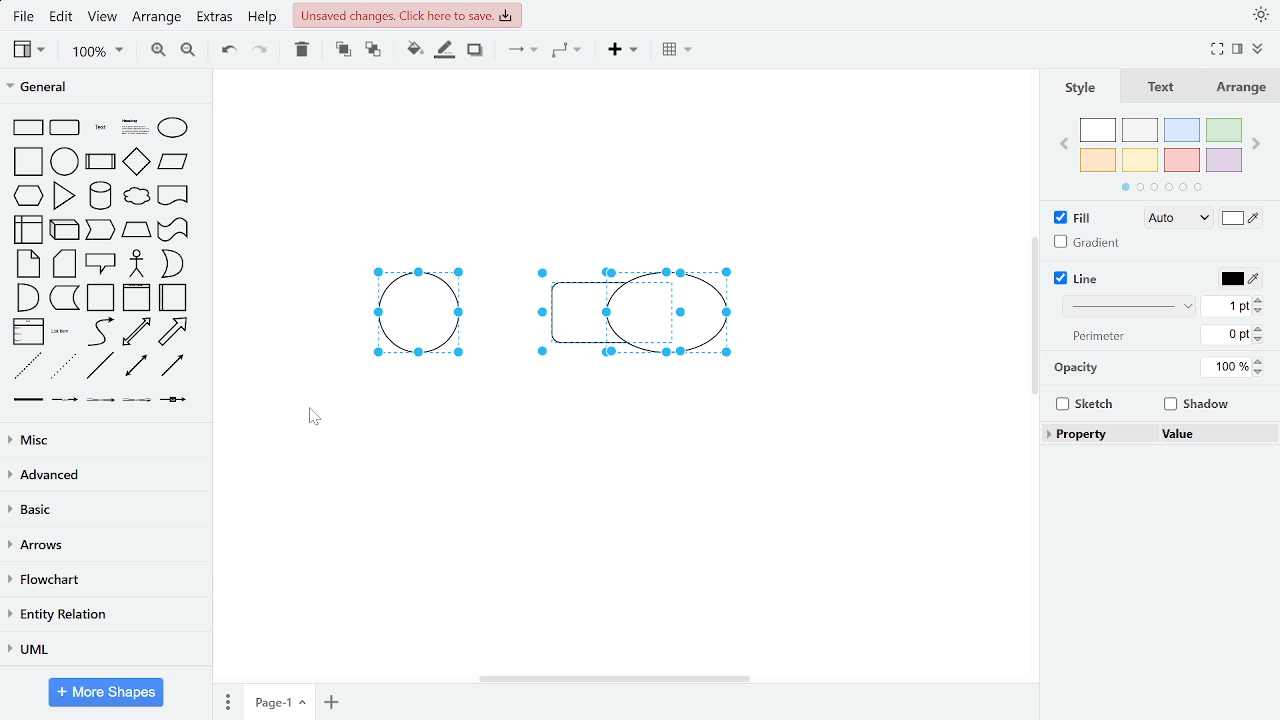  I want to click on trapezoid, so click(137, 230).